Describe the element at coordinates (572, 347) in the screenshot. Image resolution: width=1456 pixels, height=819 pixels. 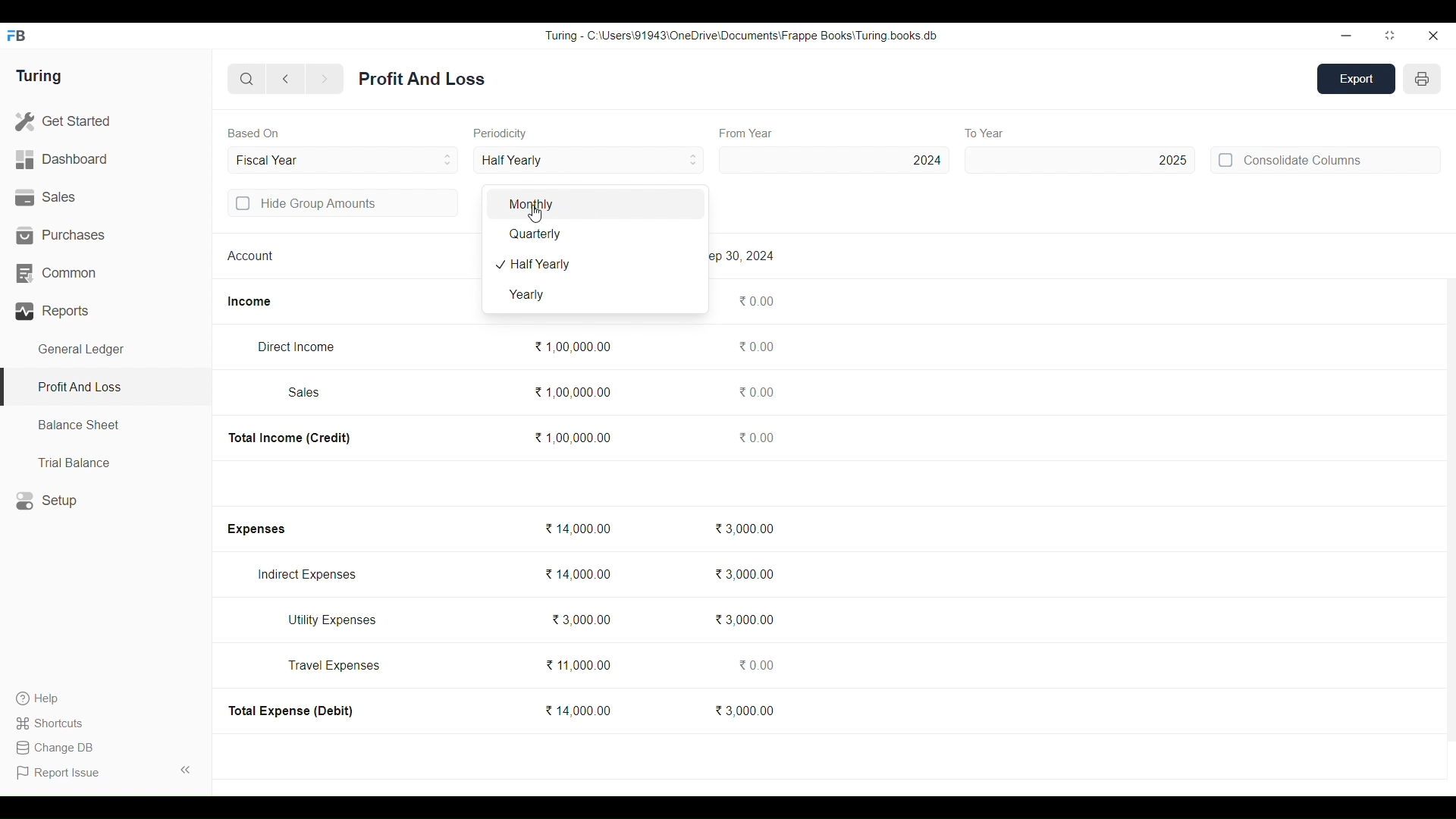
I see `1,00,000.00` at that location.